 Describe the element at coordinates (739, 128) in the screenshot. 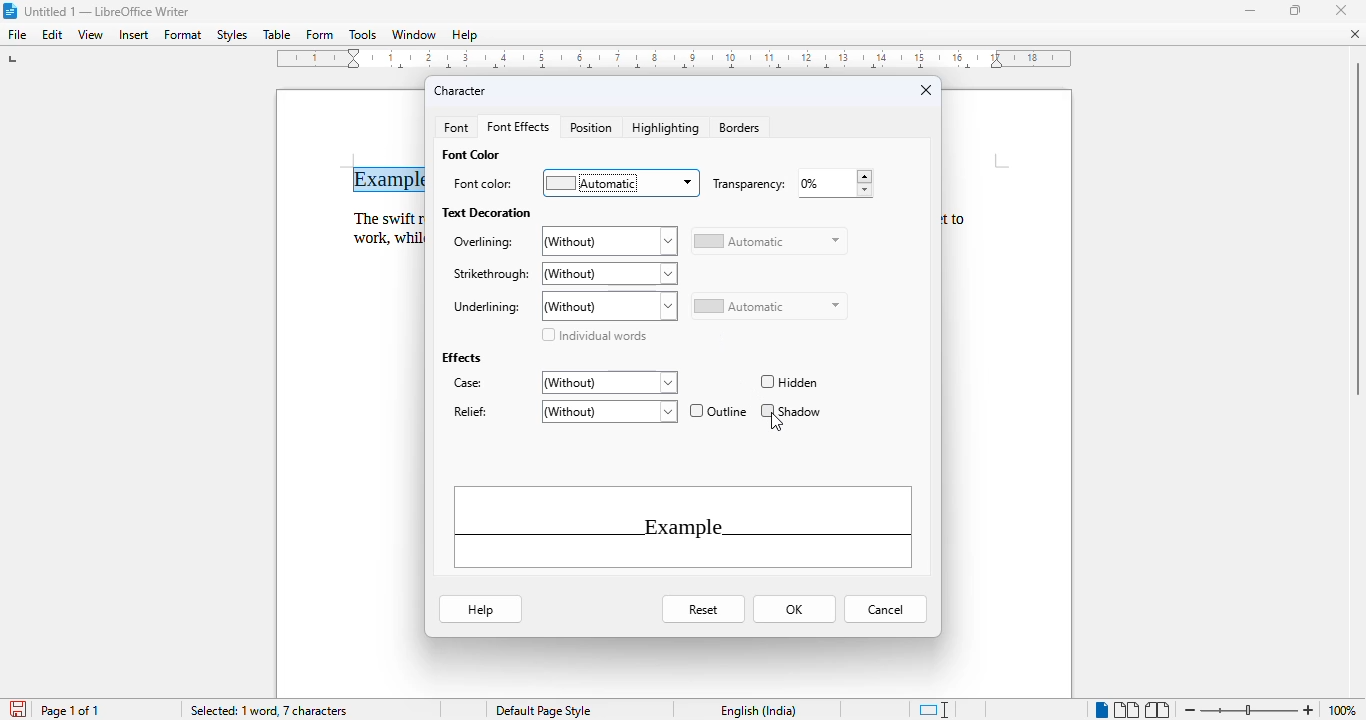

I see `borders` at that location.